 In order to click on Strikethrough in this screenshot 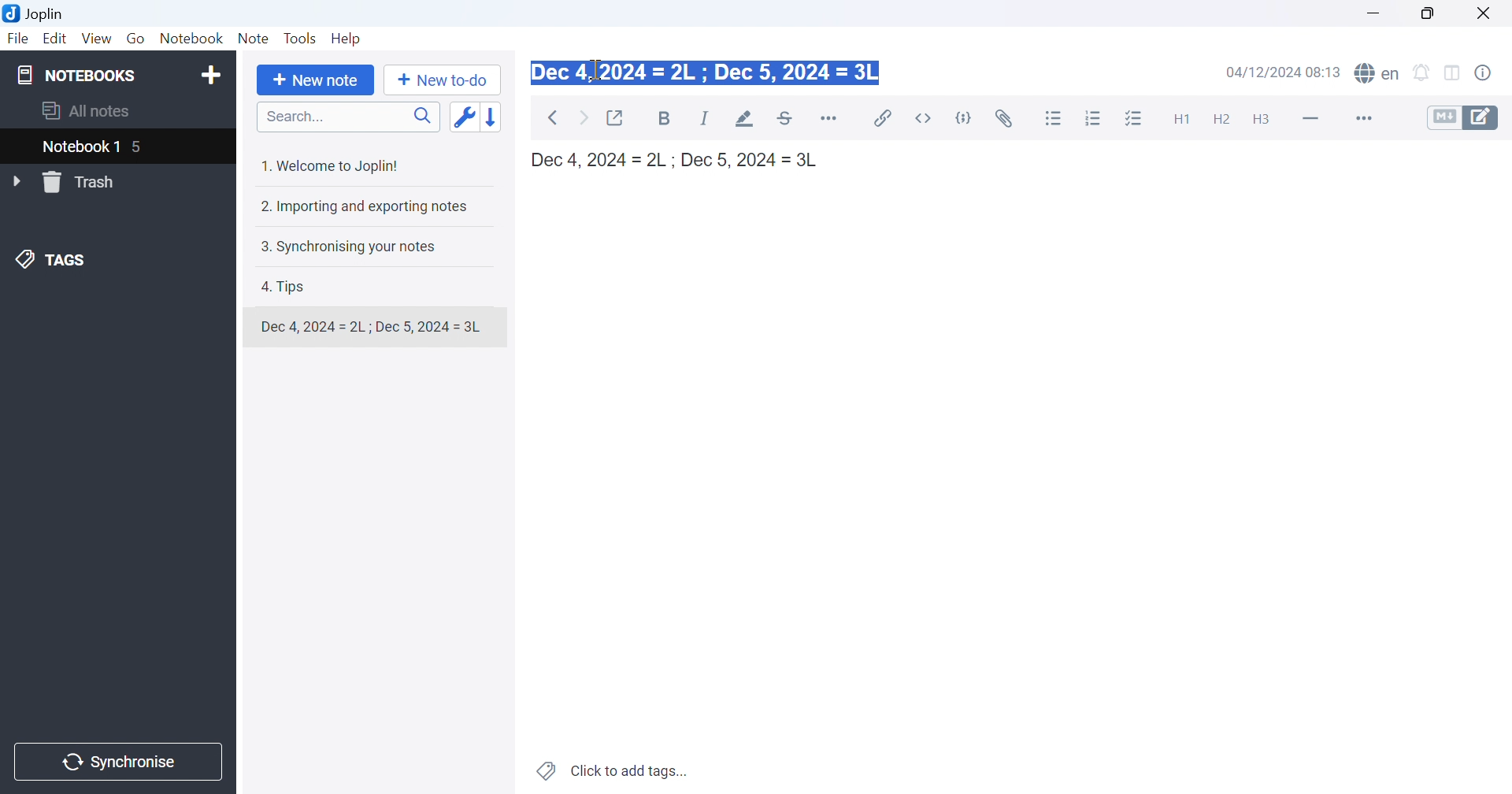, I will do `click(787, 118)`.